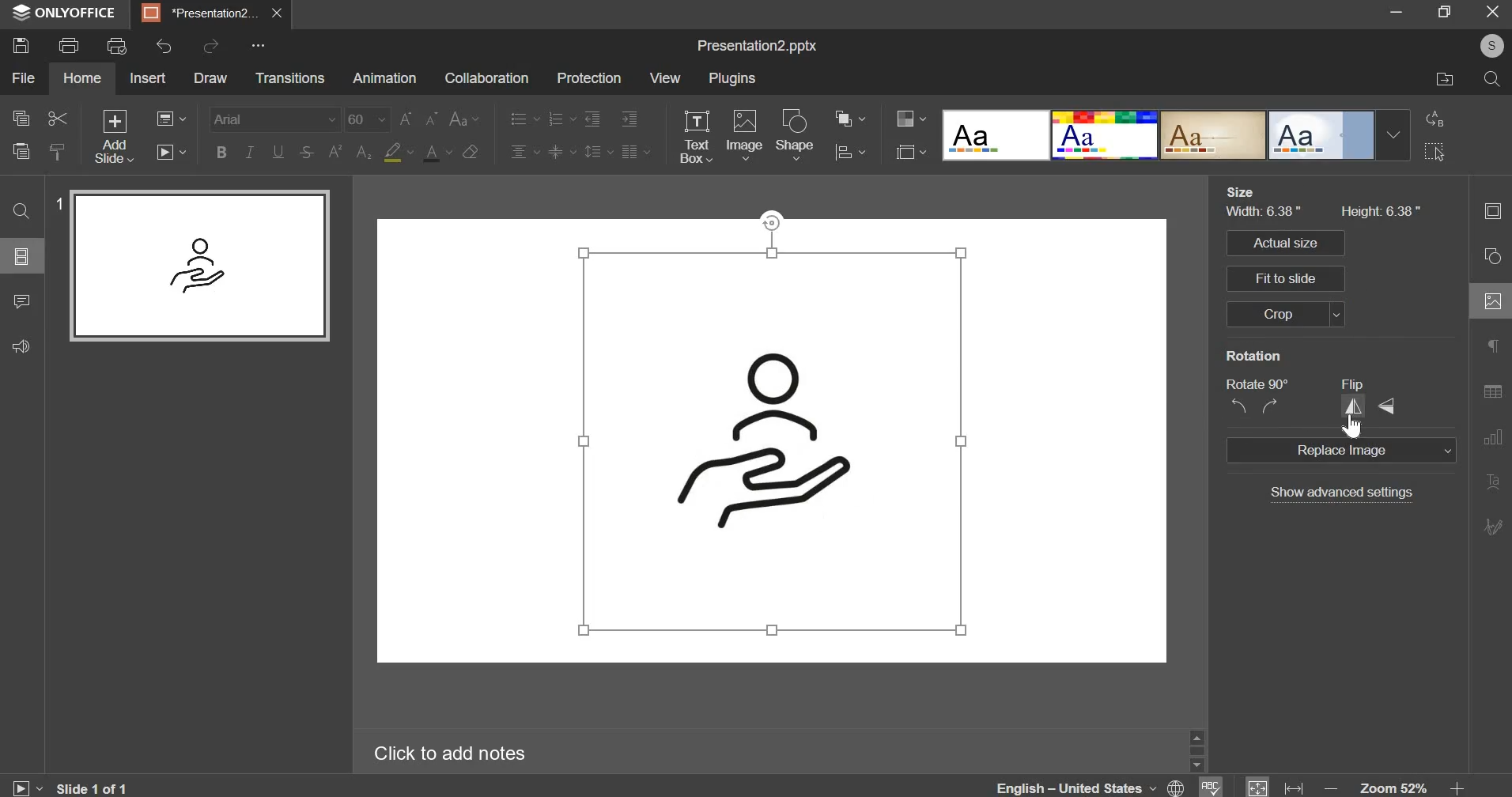 The width and height of the screenshot is (1512, 797). I want to click on protection, so click(589, 78).